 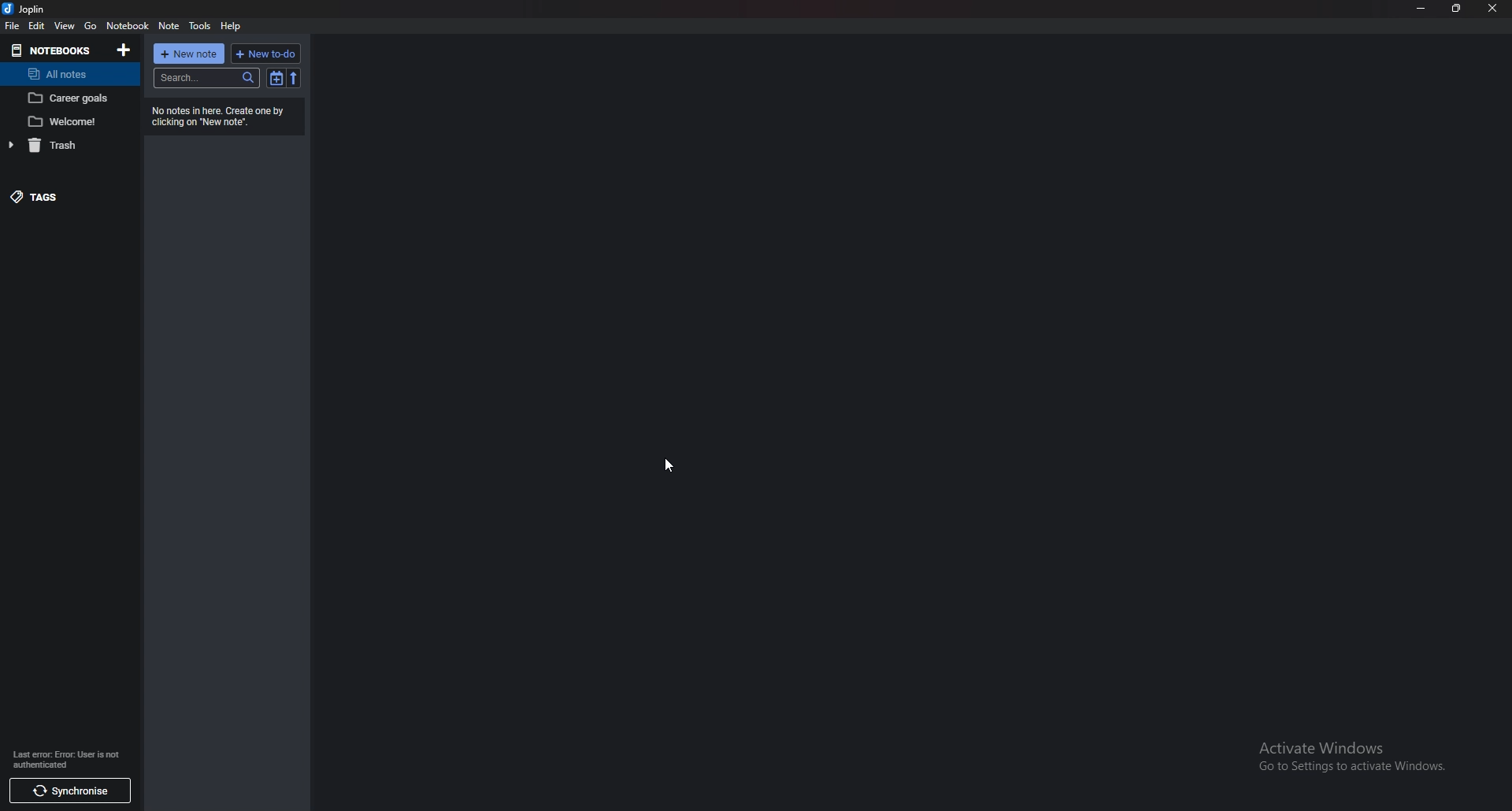 I want to click on help, so click(x=231, y=26).